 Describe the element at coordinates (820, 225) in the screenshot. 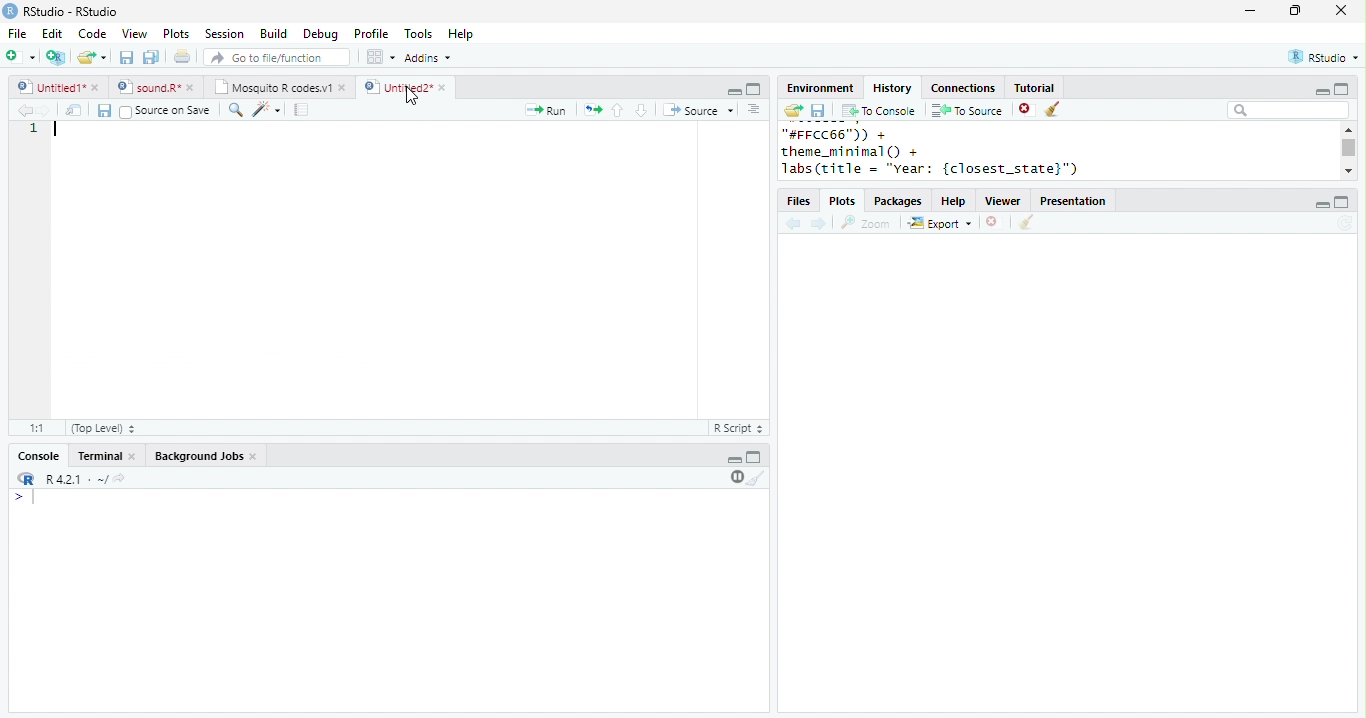

I see `forward` at that location.